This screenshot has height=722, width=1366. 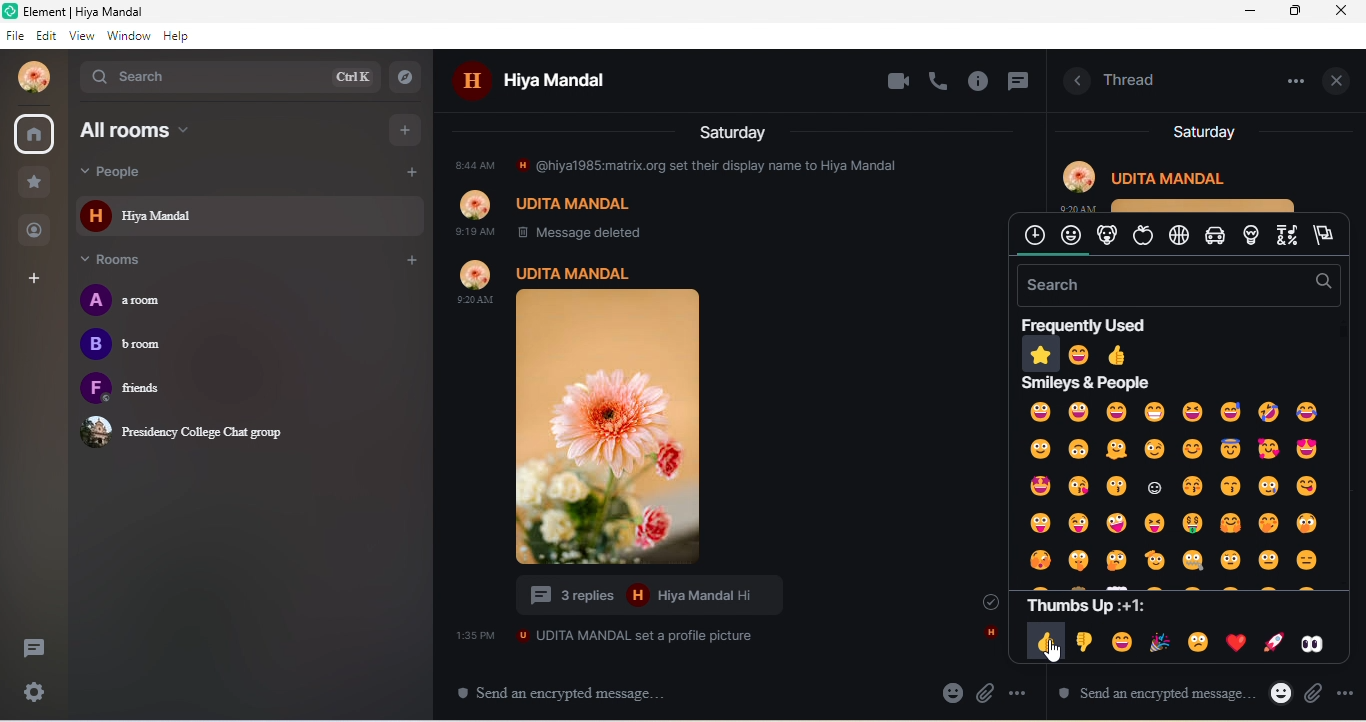 What do you see at coordinates (123, 261) in the screenshot?
I see `rooms` at bounding box center [123, 261].